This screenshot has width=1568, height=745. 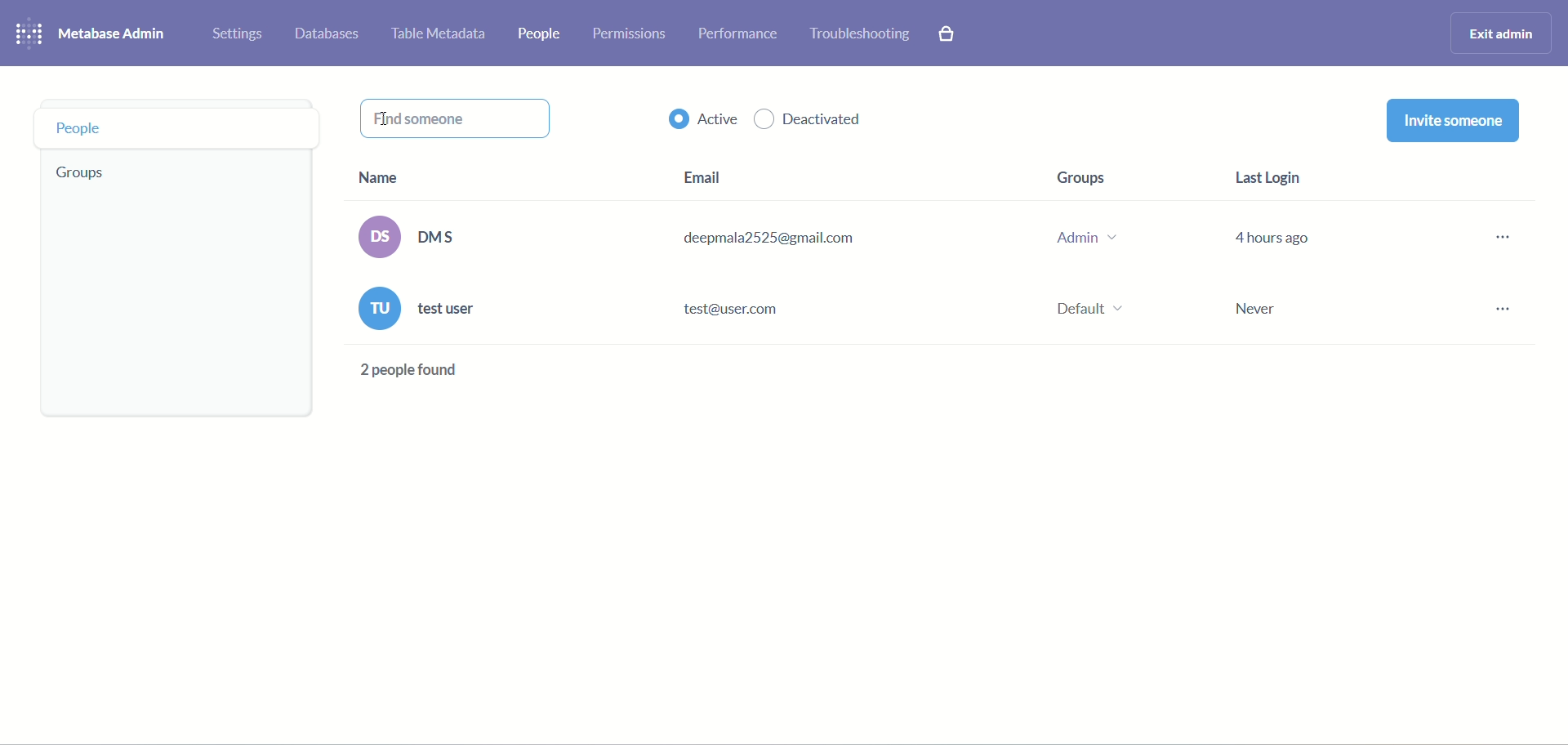 I want to click on name, so click(x=412, y=245).